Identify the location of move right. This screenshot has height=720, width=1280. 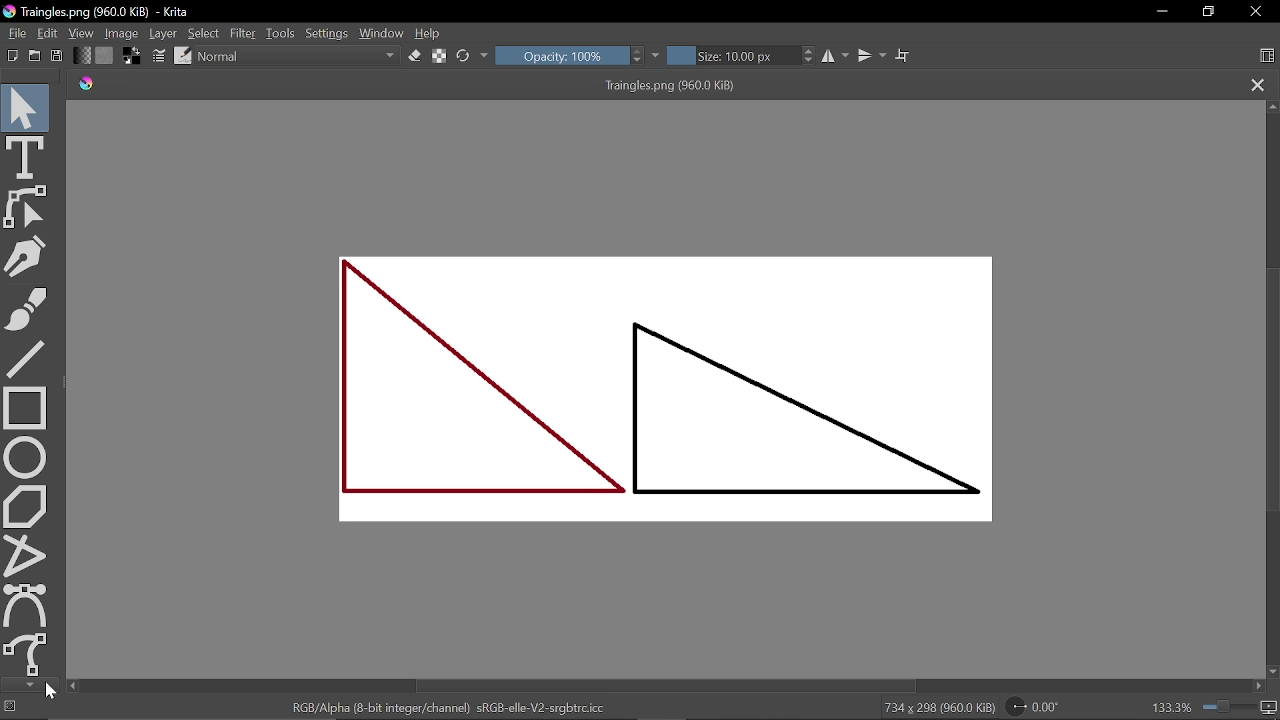
(1260, 687).